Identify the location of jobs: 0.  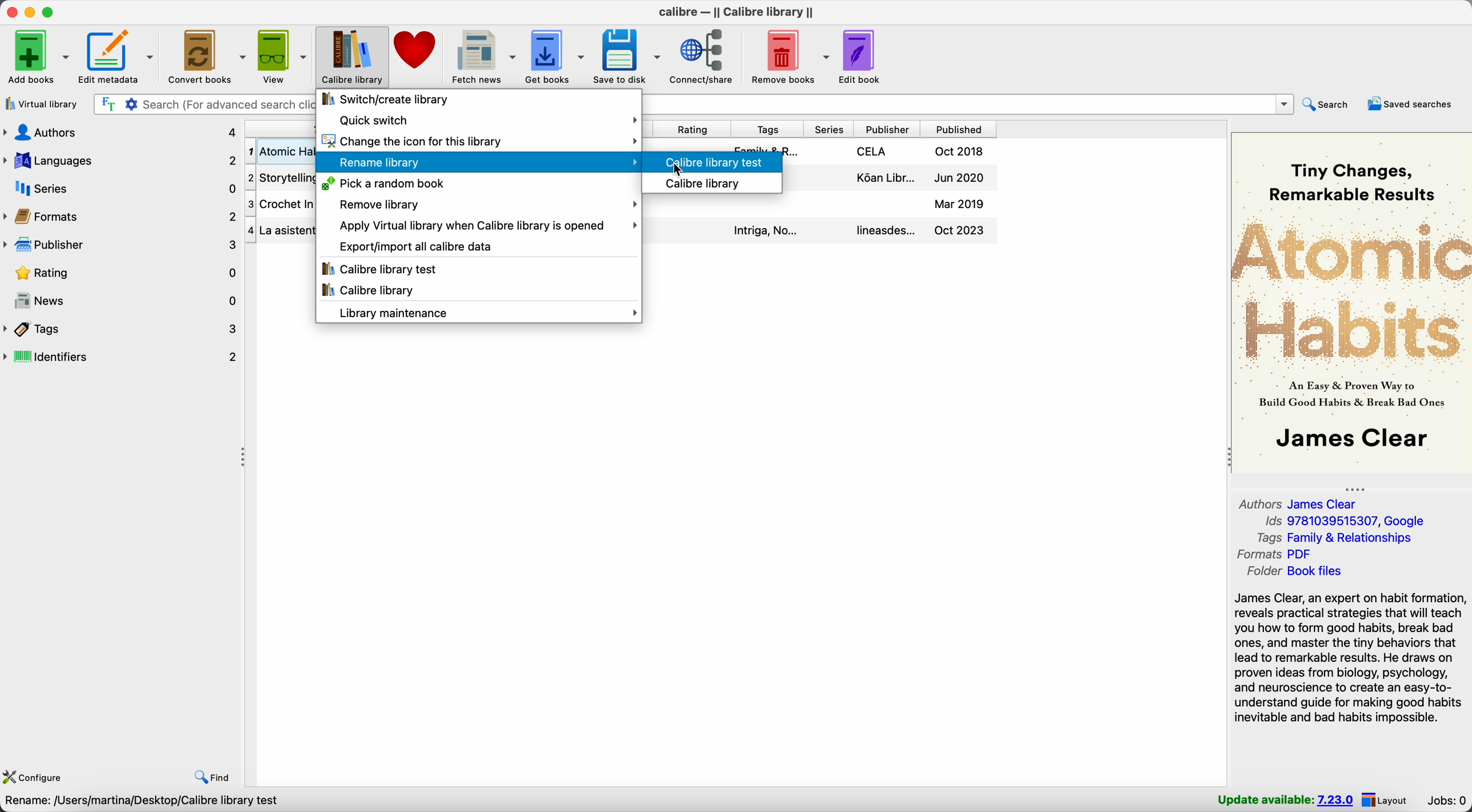
(1444, 799).